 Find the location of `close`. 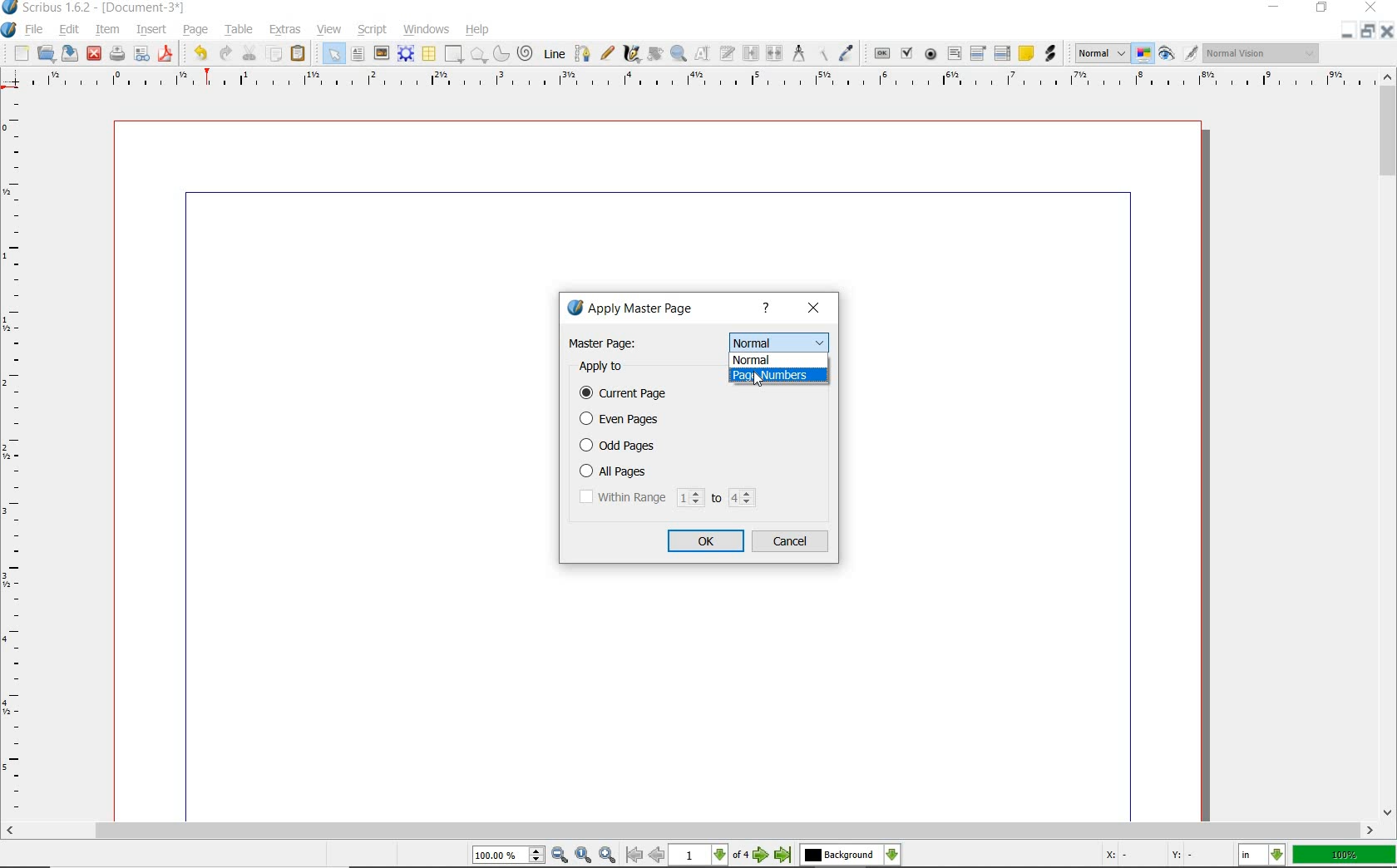

close is located at coordinates (816, 308).